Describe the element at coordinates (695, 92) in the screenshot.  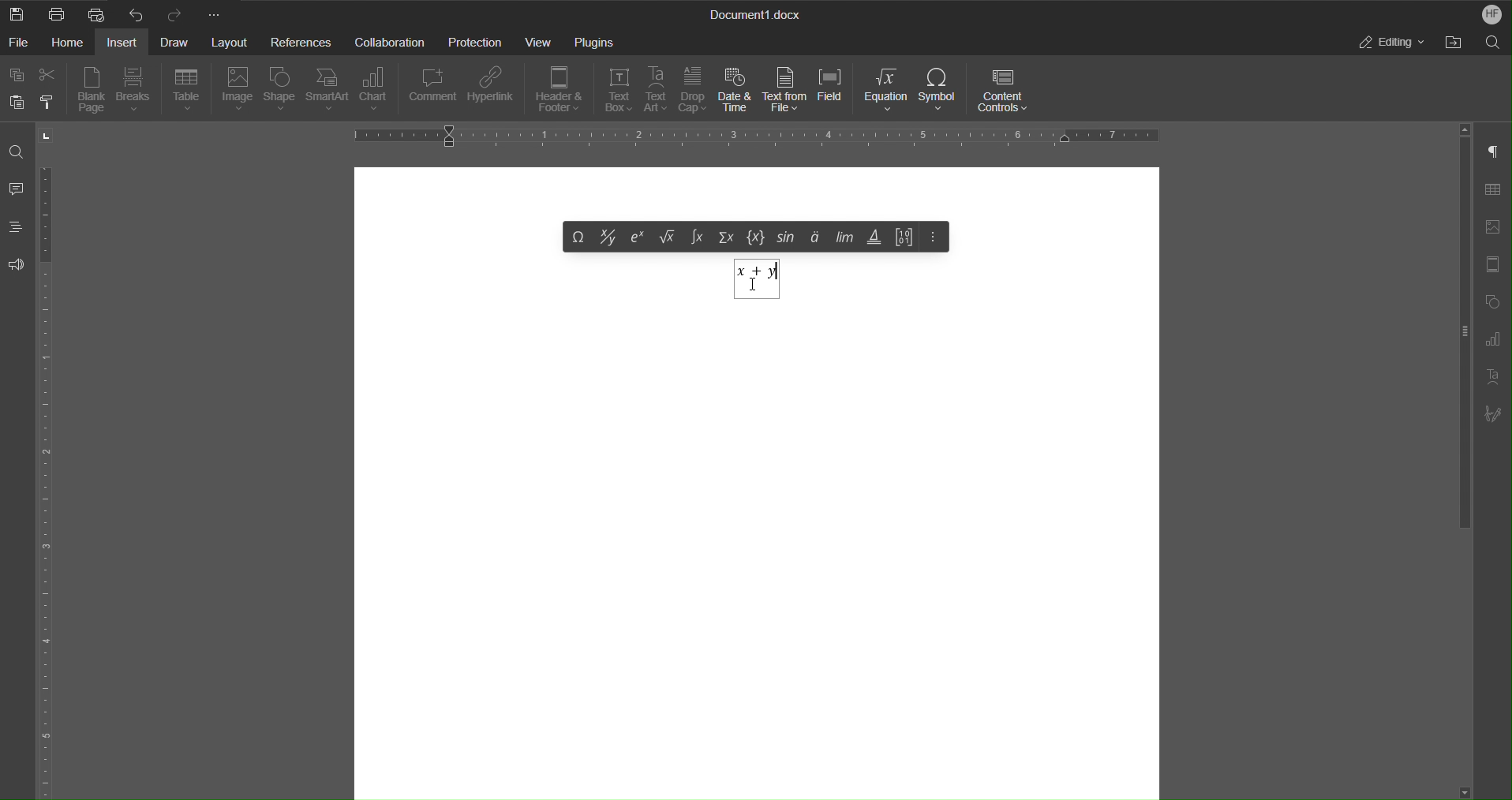
I see `Drop Cap` at that location.